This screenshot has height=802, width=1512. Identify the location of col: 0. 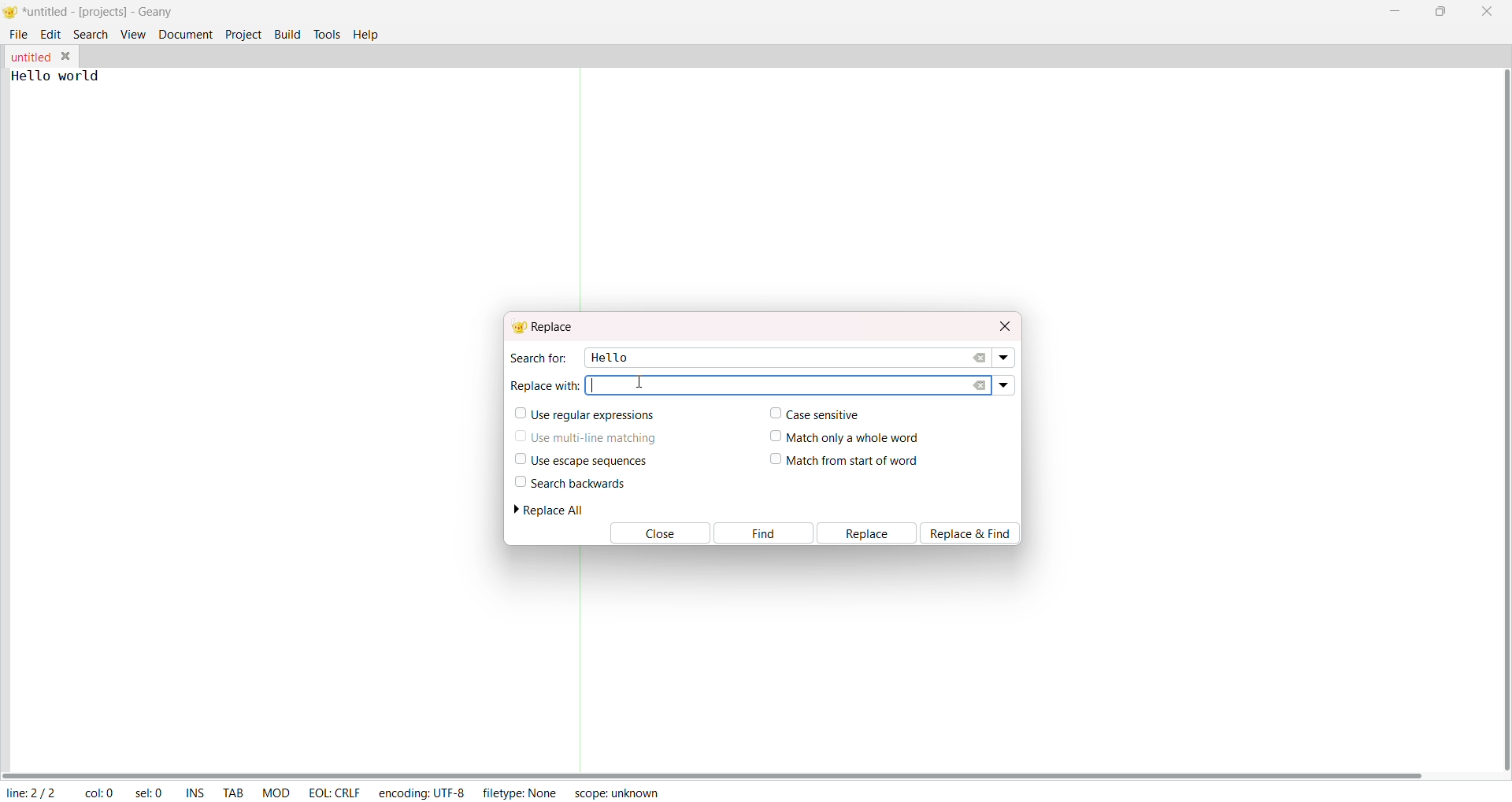
(98, 793).